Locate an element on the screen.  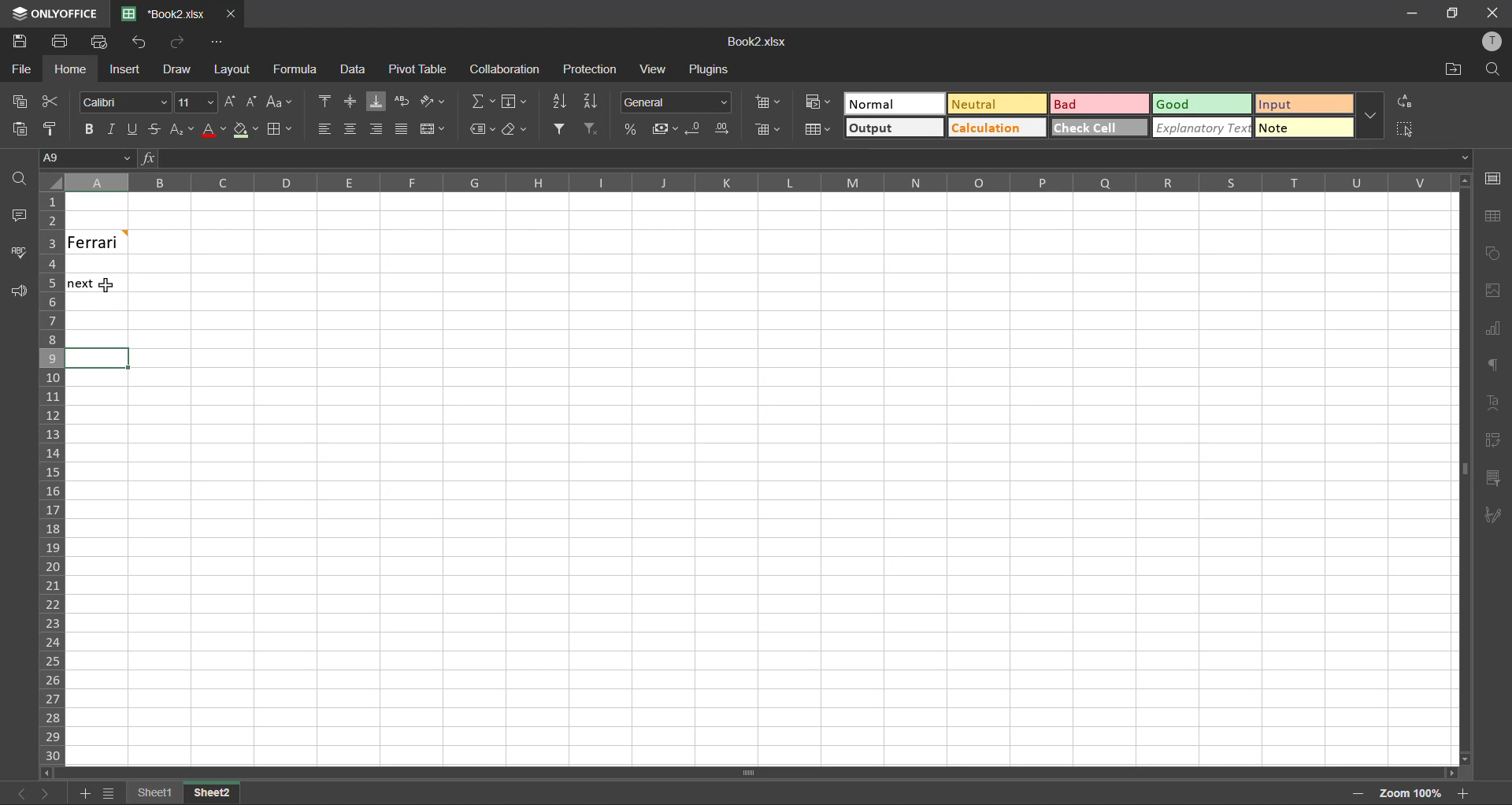
more options is located at coordinates (1367, 117).